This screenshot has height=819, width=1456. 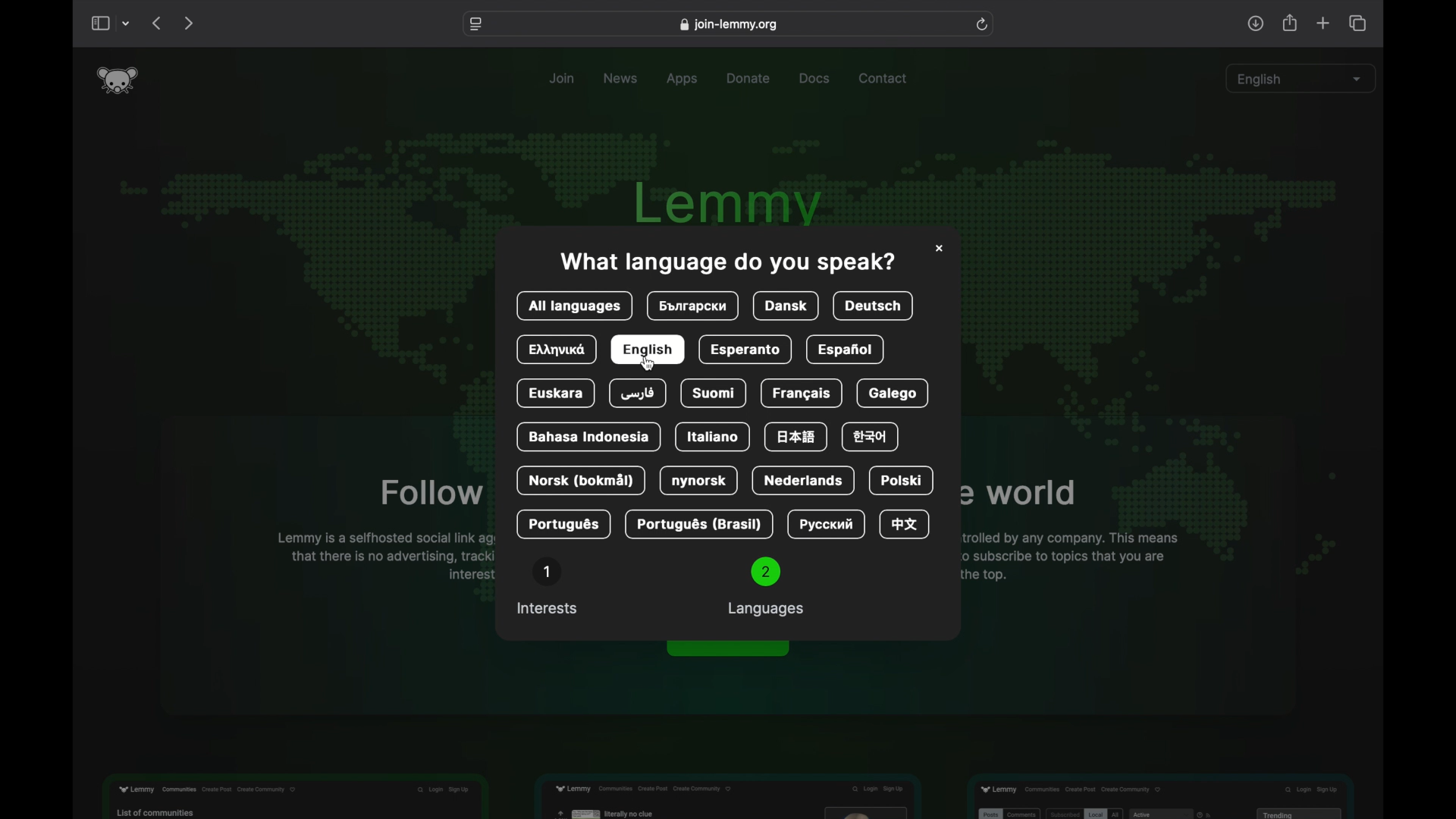 I want to click on donate, so click(x=751, y=79).